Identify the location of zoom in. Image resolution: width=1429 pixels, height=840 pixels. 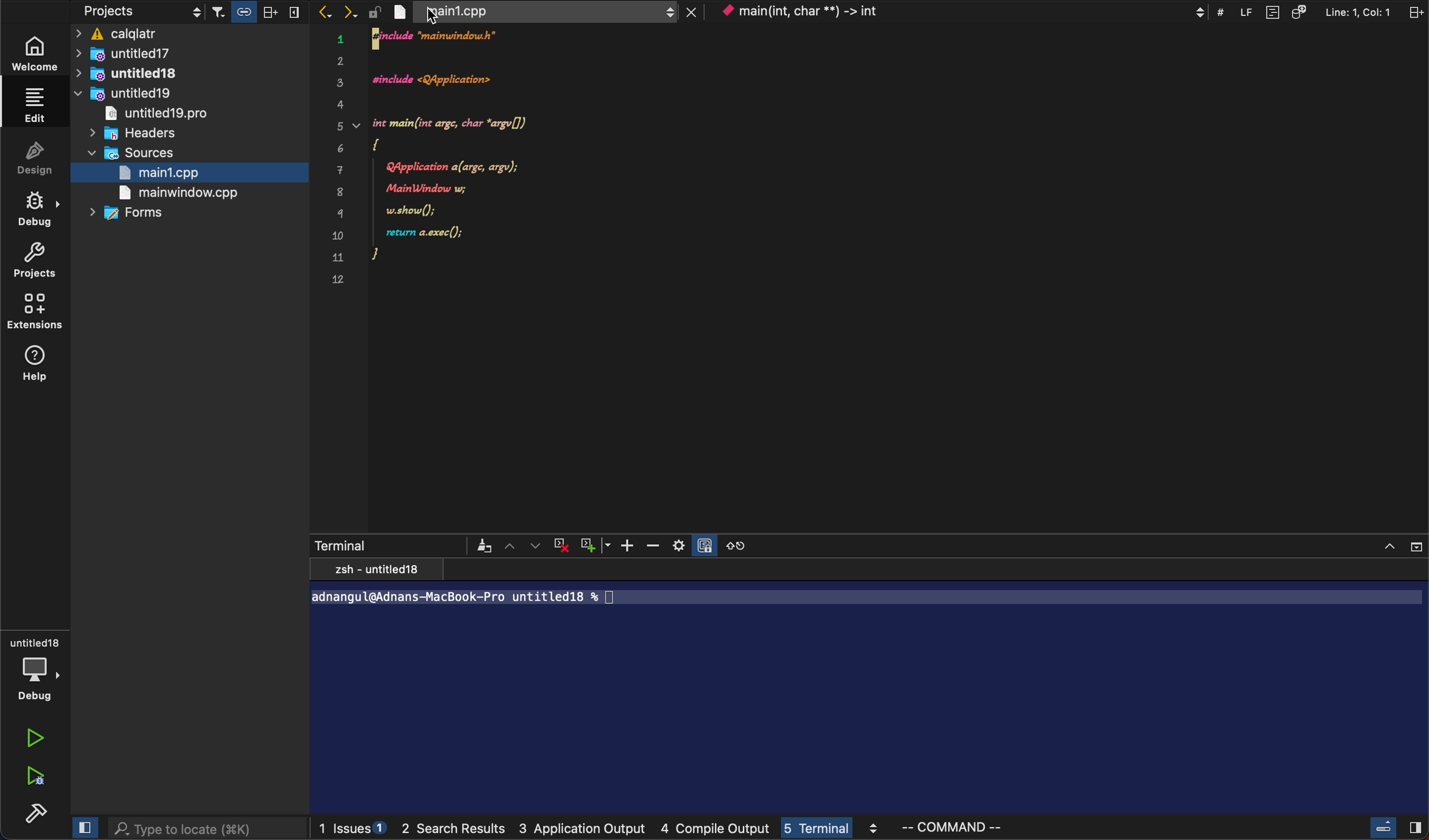
(628, 545).